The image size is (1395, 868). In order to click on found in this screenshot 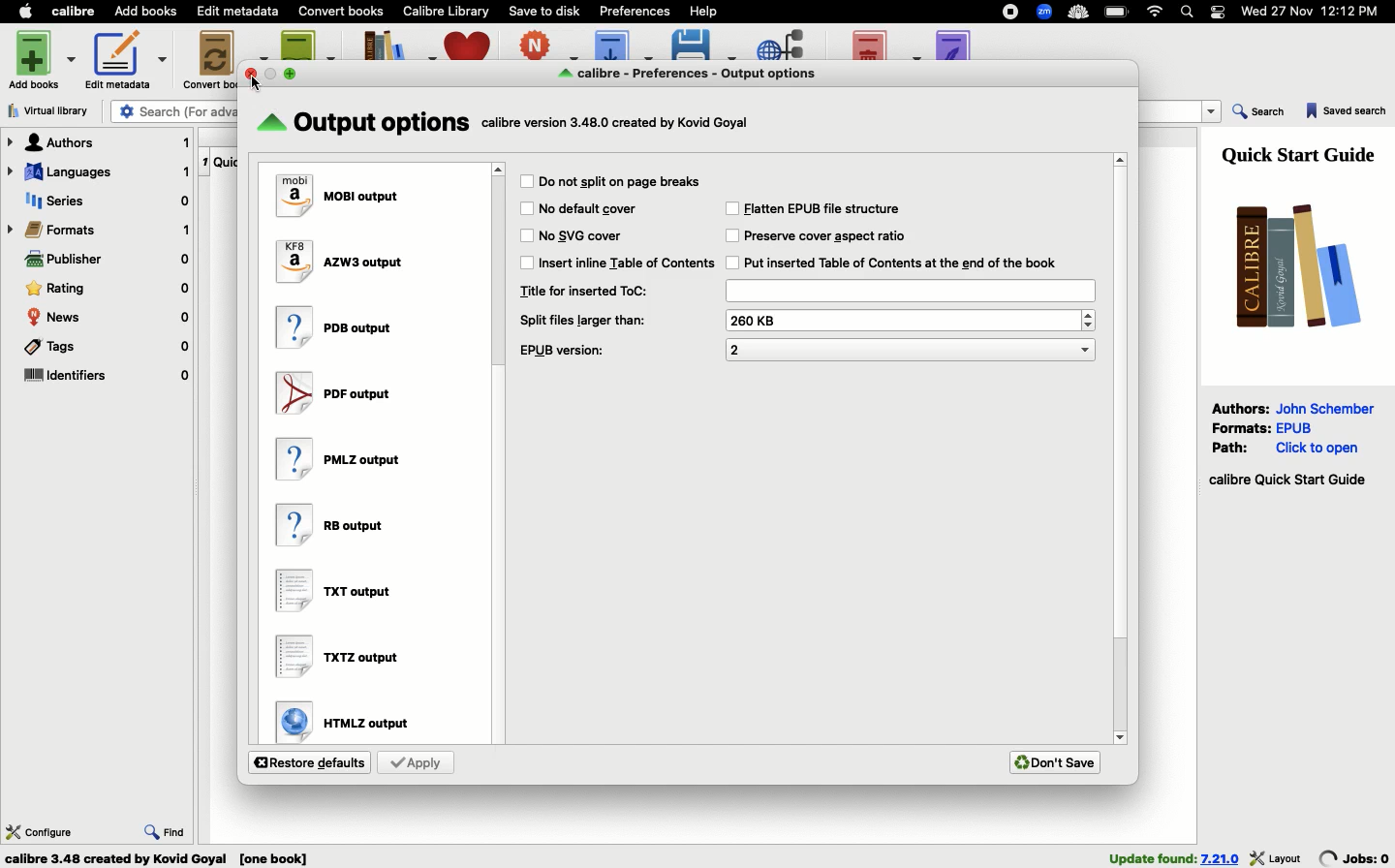, I will do `click(1152, 857)`.